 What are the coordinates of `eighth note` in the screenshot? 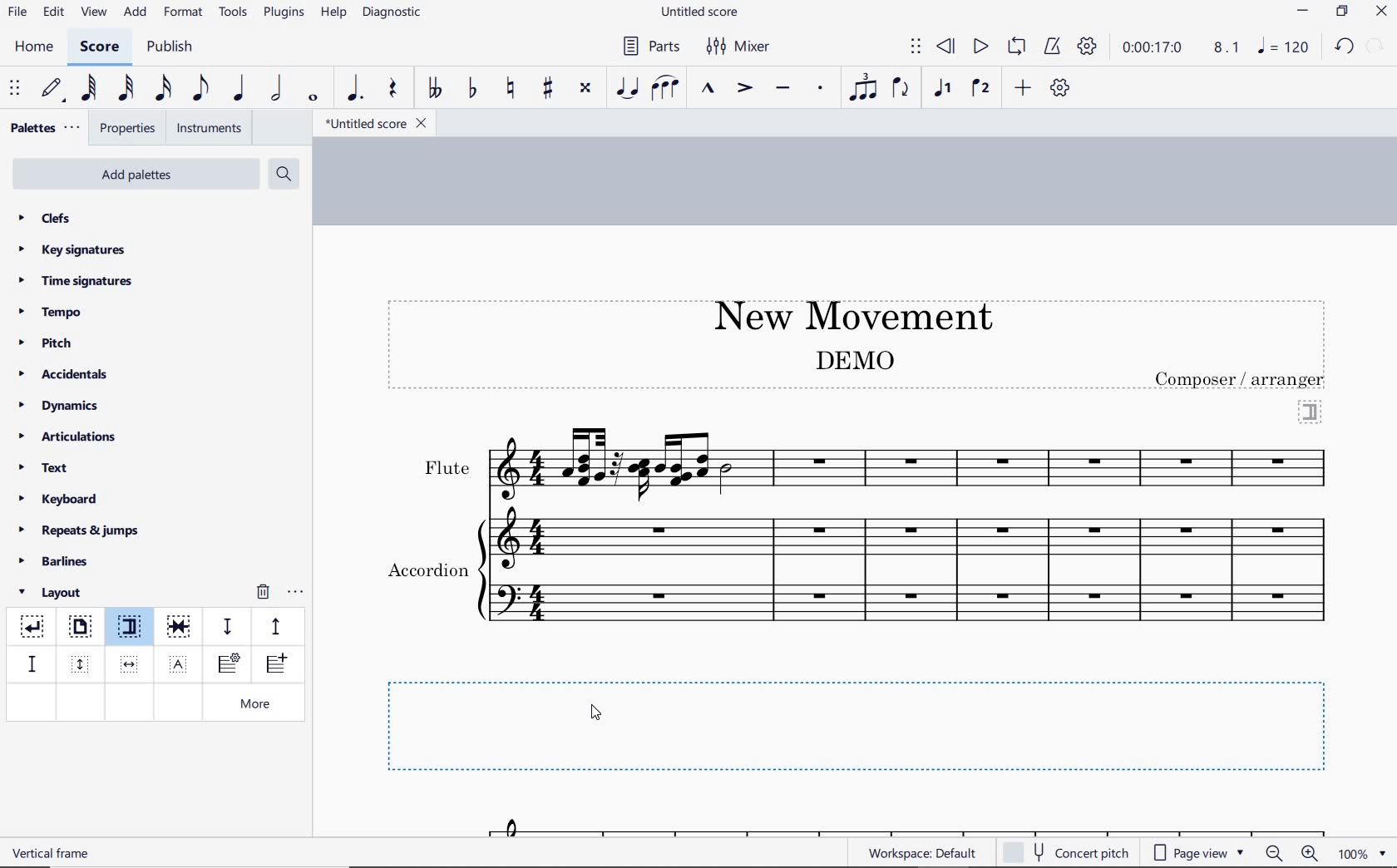 It's located at (200, 91).